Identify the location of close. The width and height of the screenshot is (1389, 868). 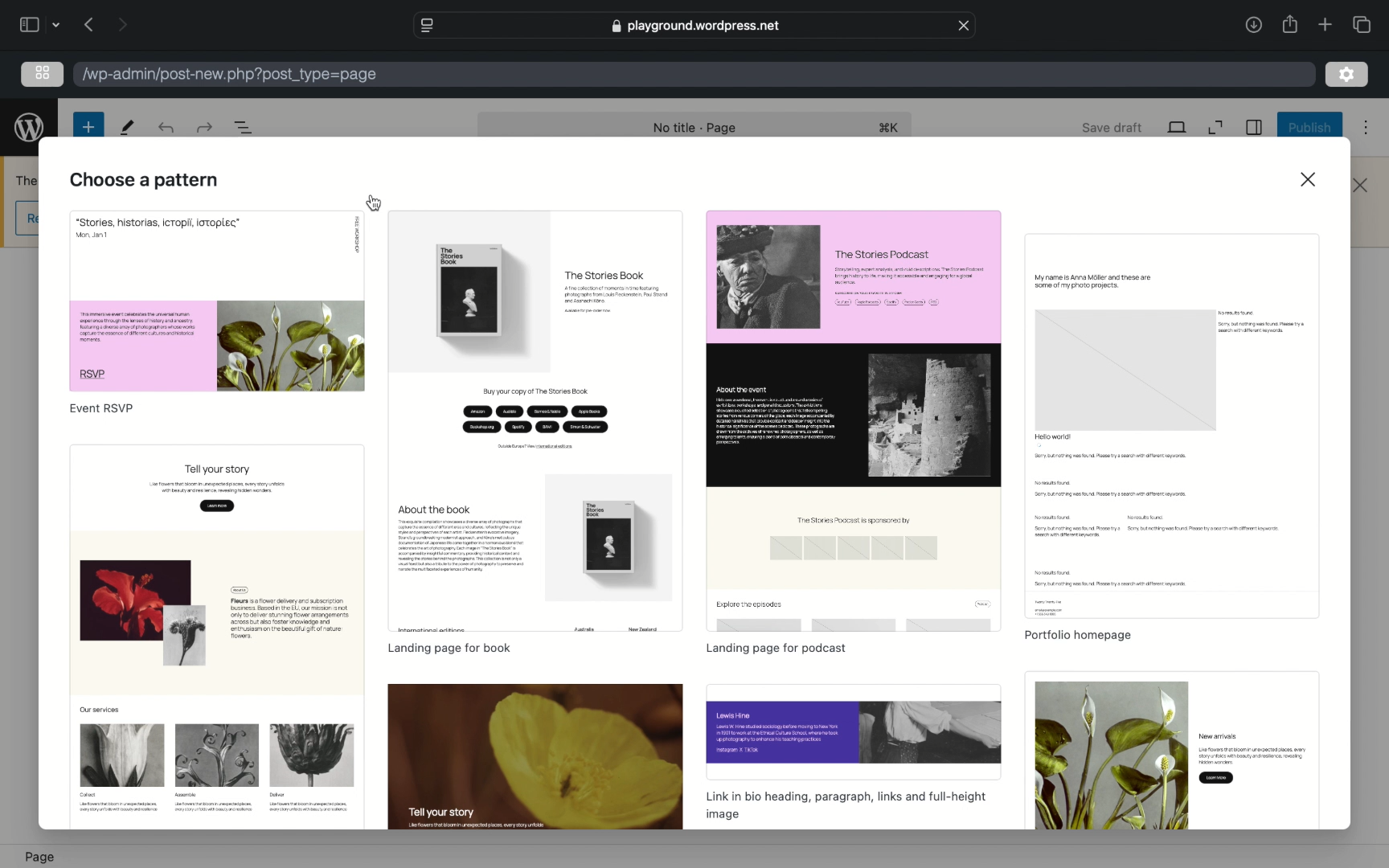
(965, 24).